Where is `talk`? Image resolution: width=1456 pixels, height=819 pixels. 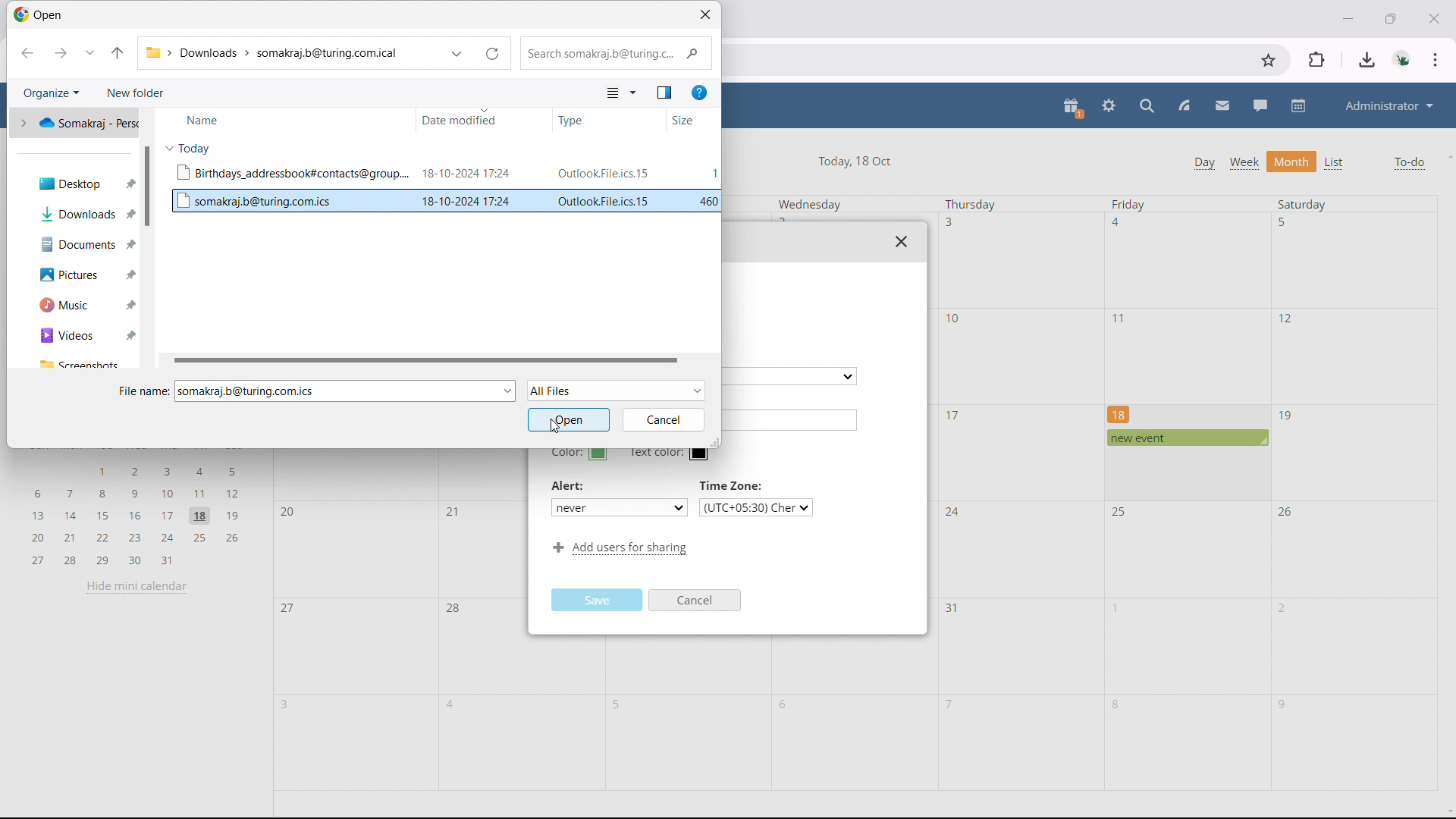
talk is located at coordinates (1260, 105).